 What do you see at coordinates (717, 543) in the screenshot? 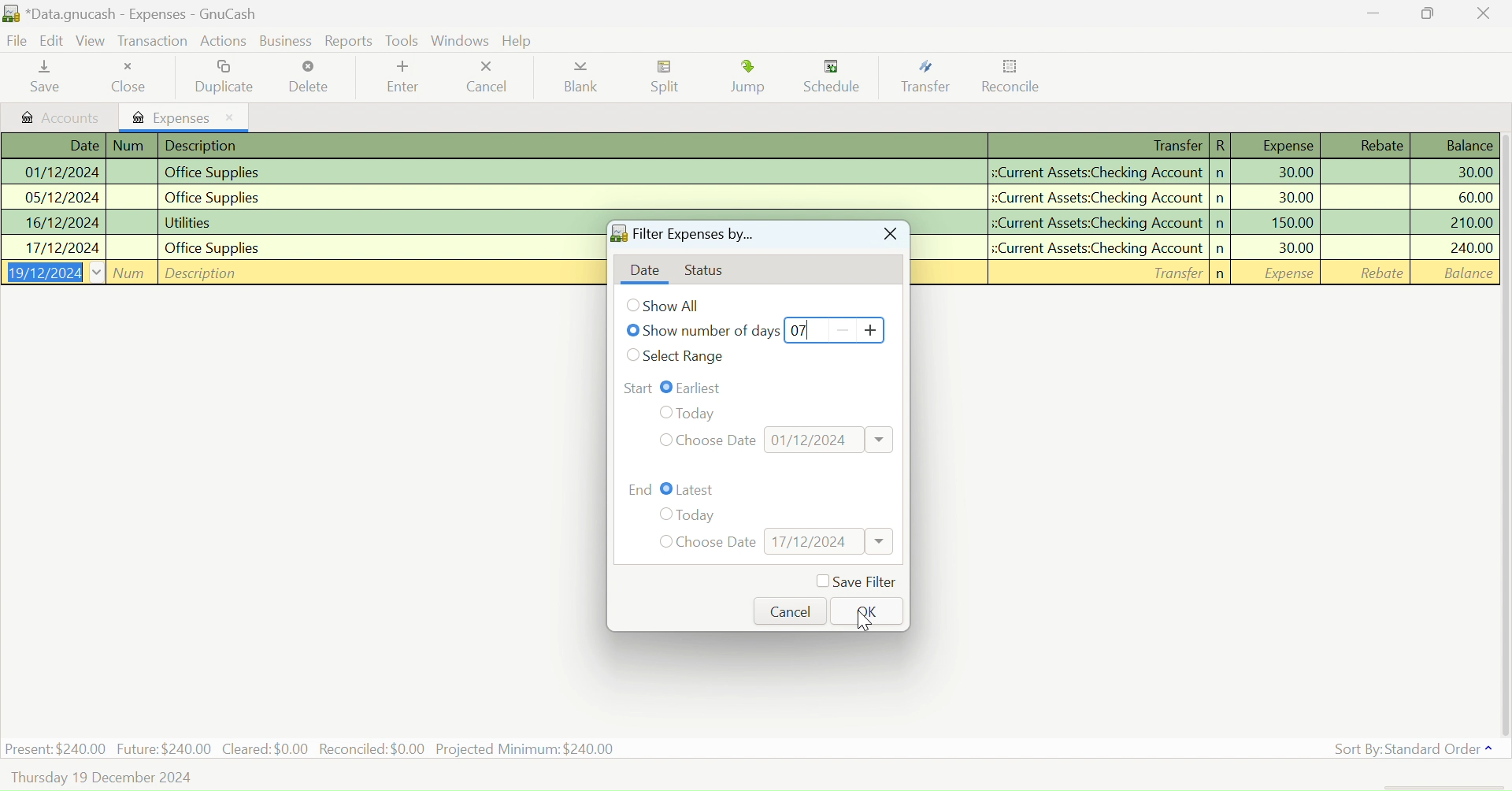
I see `Choose Date` at bounding box center [717, 543].